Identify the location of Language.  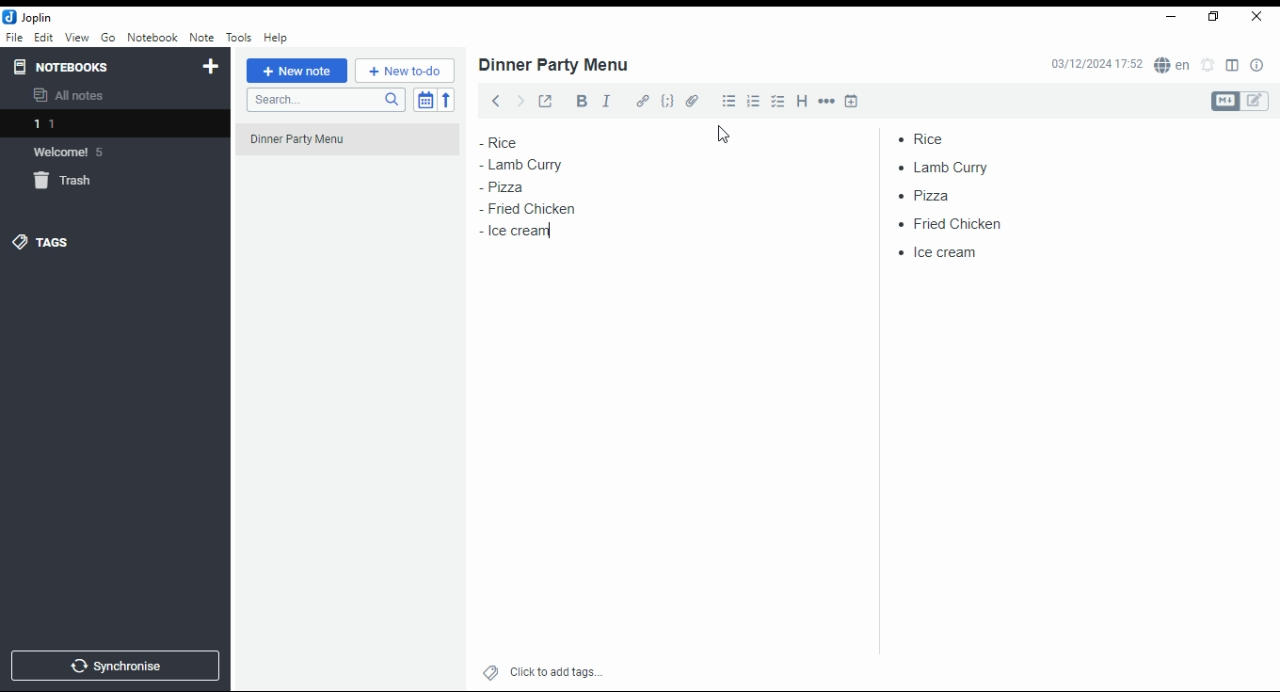
(1171, 65).